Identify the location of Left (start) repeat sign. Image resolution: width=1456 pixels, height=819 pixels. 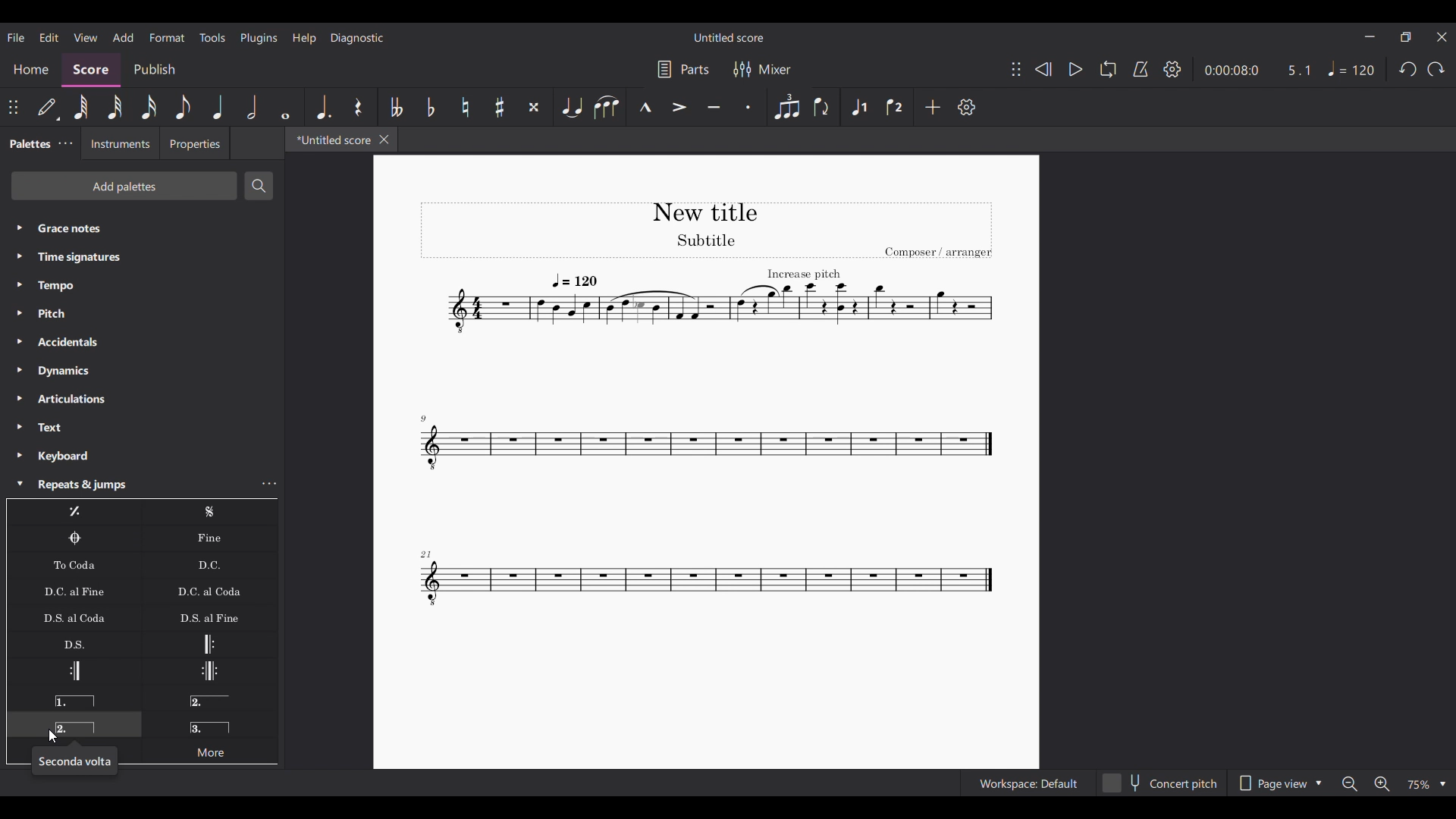
(209, 644).